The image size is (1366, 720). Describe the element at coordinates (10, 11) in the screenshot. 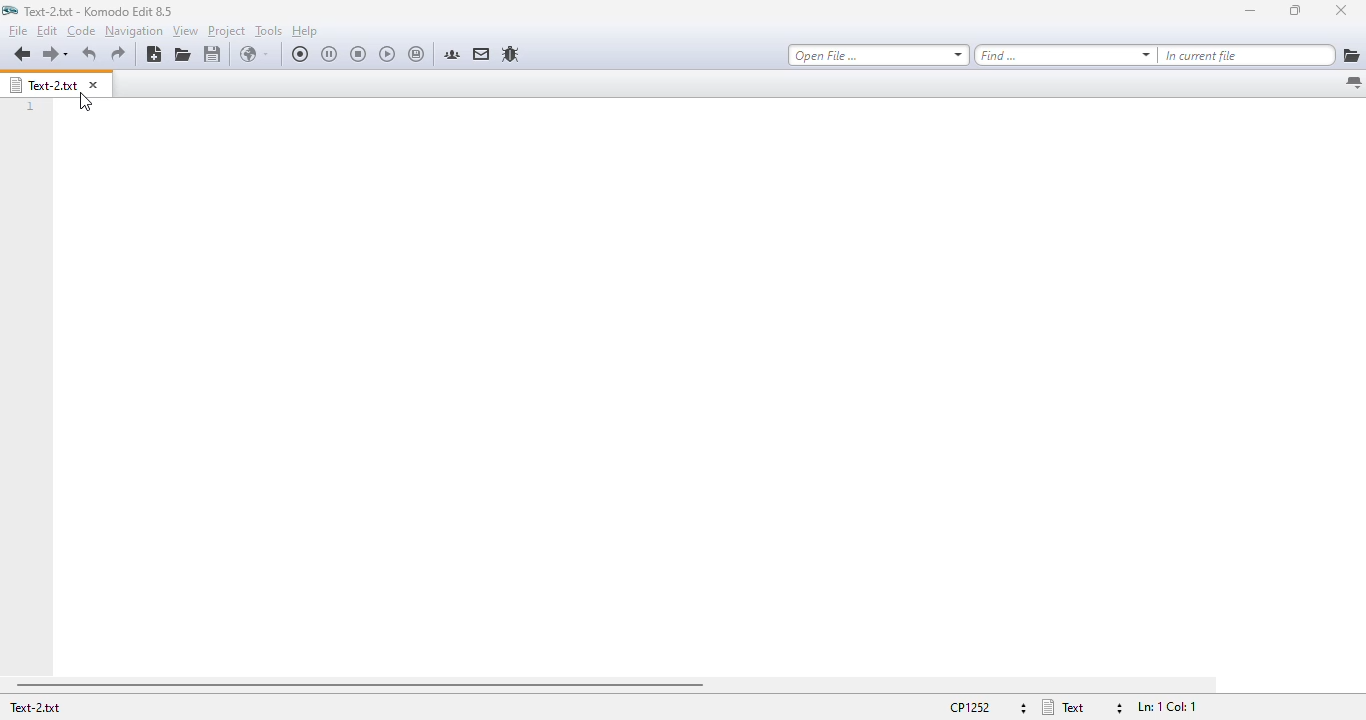

I see `logo` at that location.